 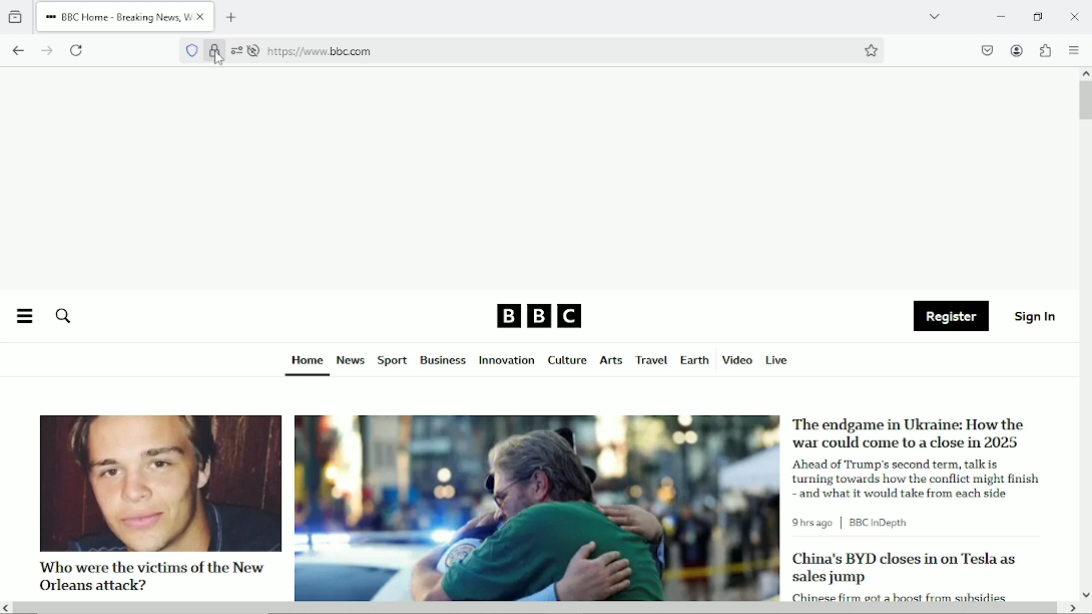 What do you see at coordinates (986, 50) in the screenshot?
I see `save to pocket` at bounding box center [986, 50].